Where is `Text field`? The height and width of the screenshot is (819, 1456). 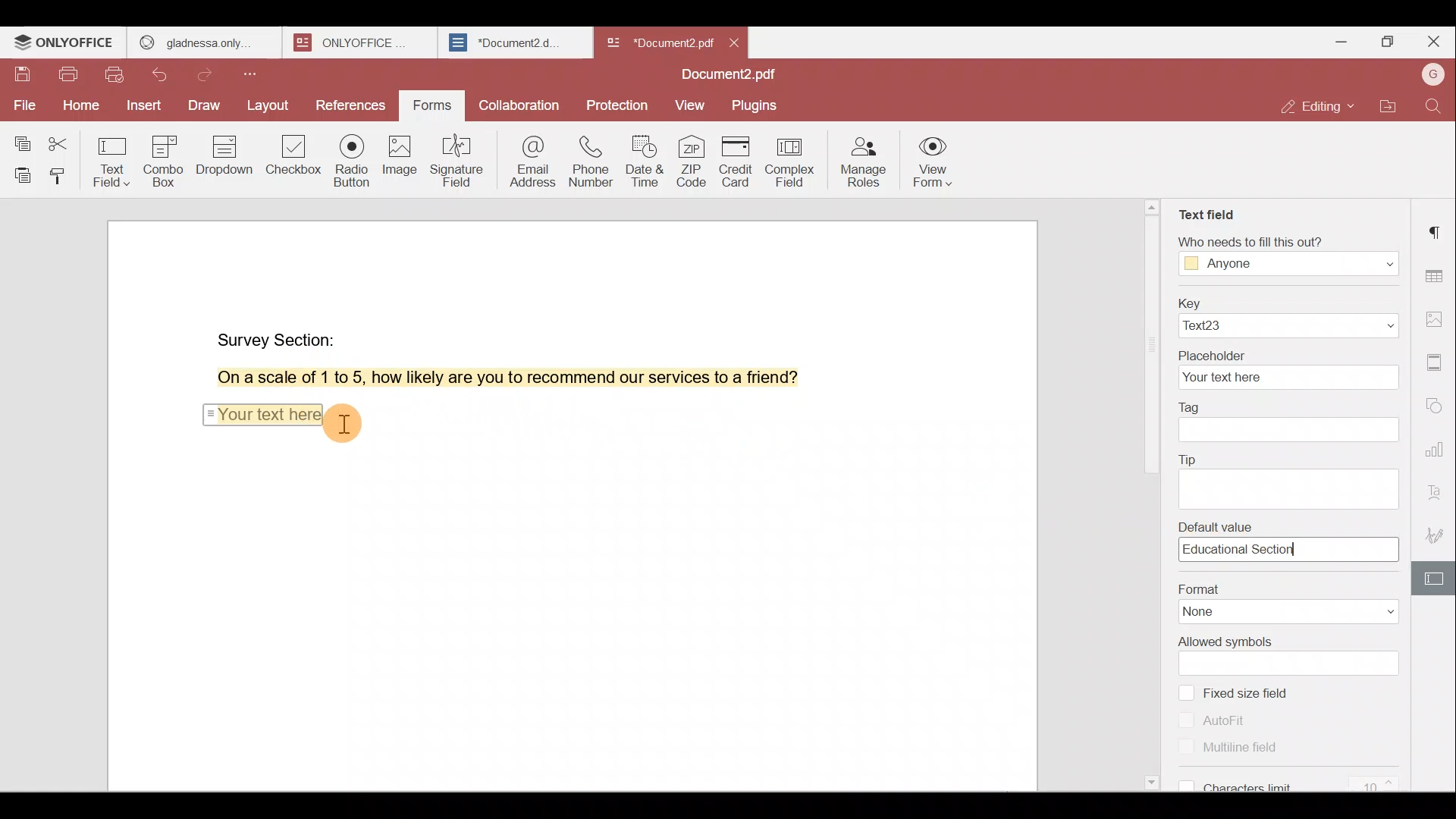 Text field is located at coordinates (1210, 215).